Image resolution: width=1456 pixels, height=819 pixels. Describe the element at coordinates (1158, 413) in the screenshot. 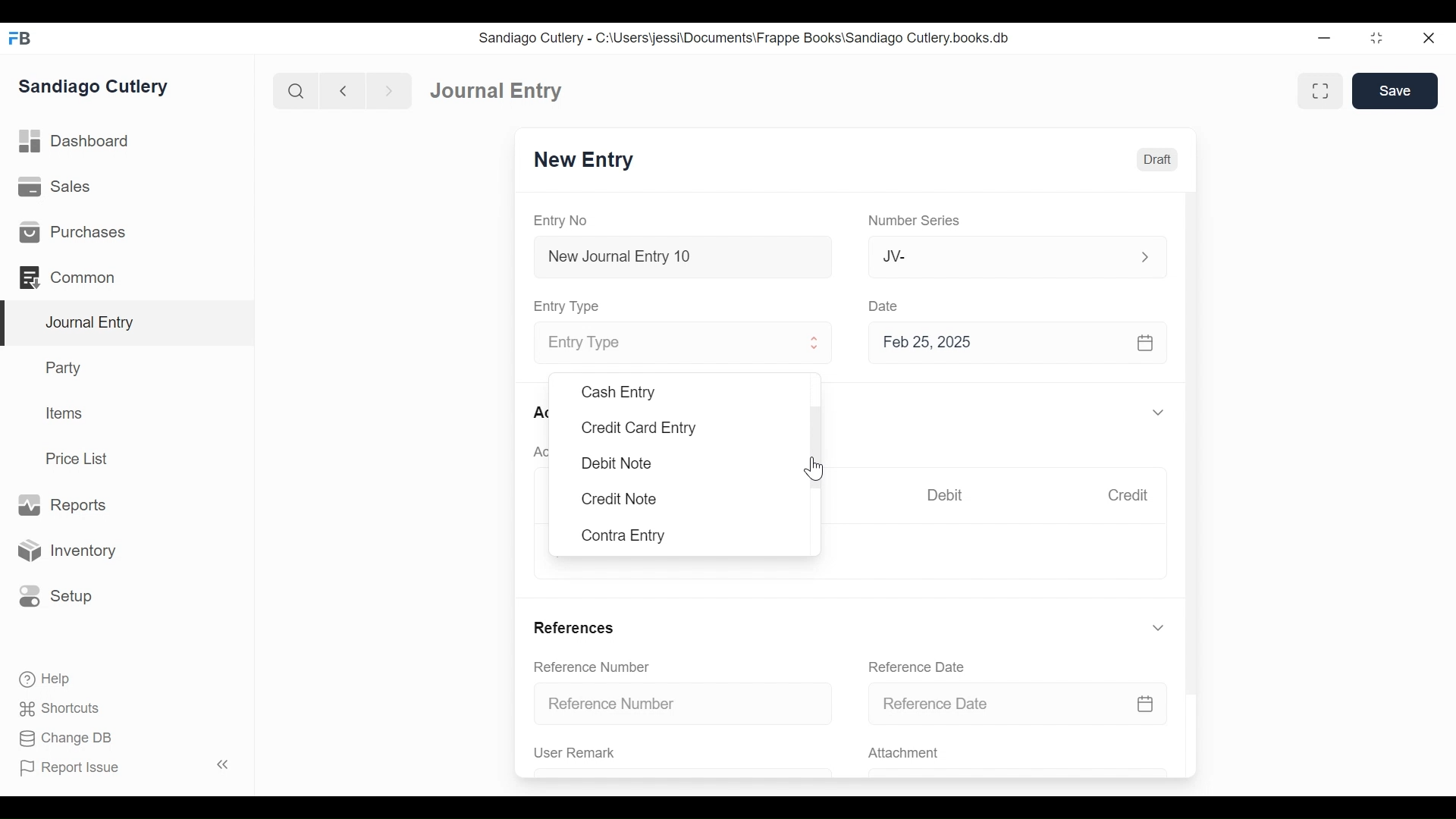

I see `Expand` at that location.